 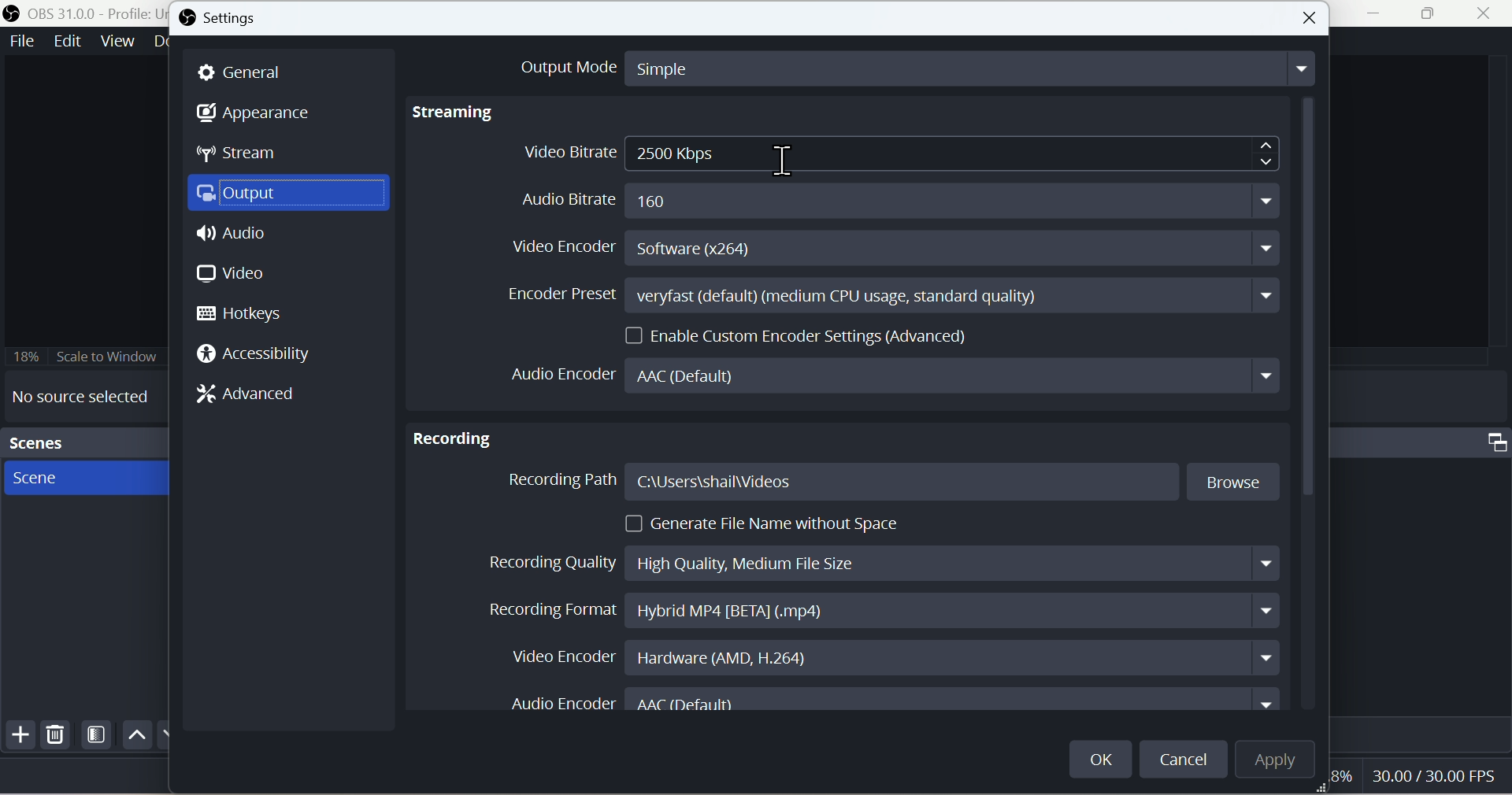 What do you see at coordinates (1311, 18) in the screenshot?
I see `` at bounding box center [1311, 18].